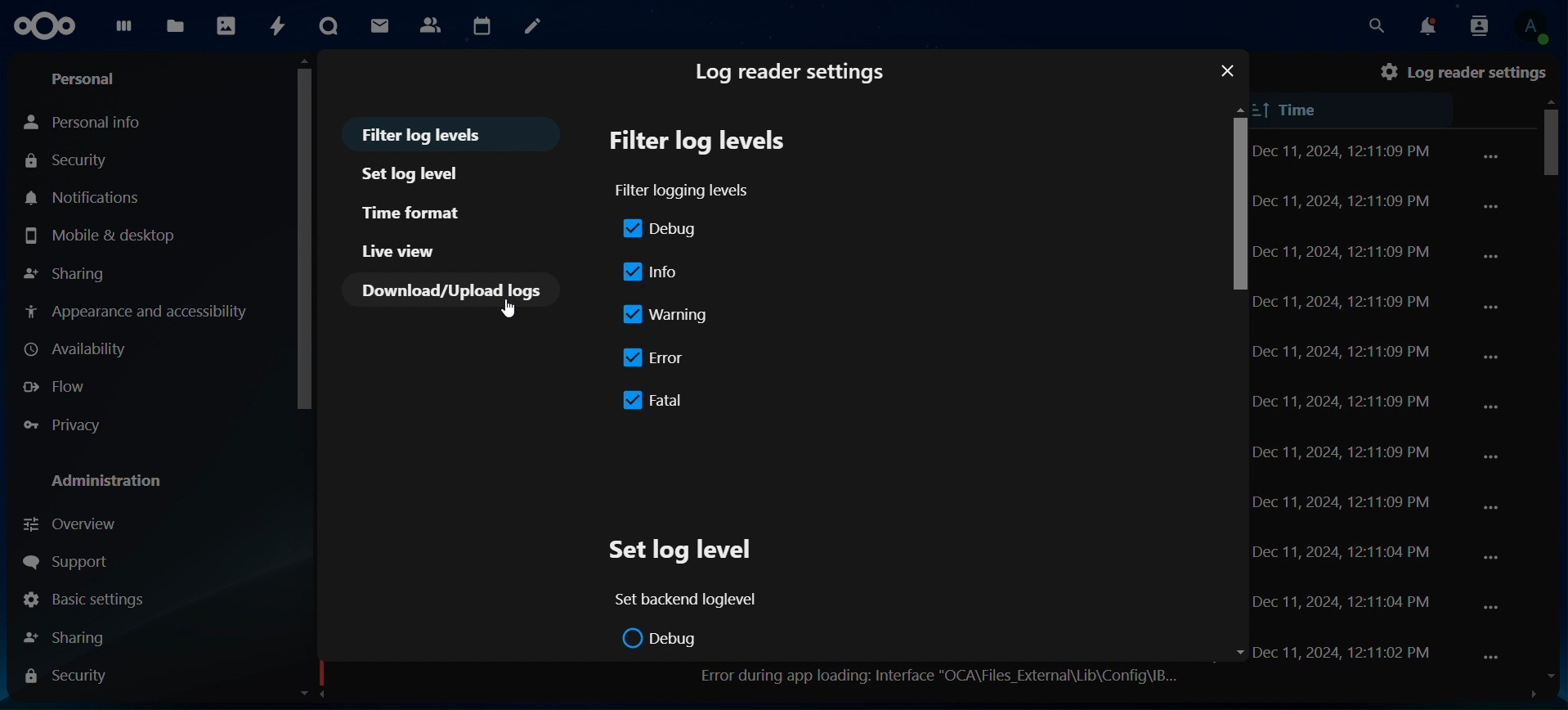 The height and width of the screenshot is (710, 1568). I want to click on talk, so click(329, 25).